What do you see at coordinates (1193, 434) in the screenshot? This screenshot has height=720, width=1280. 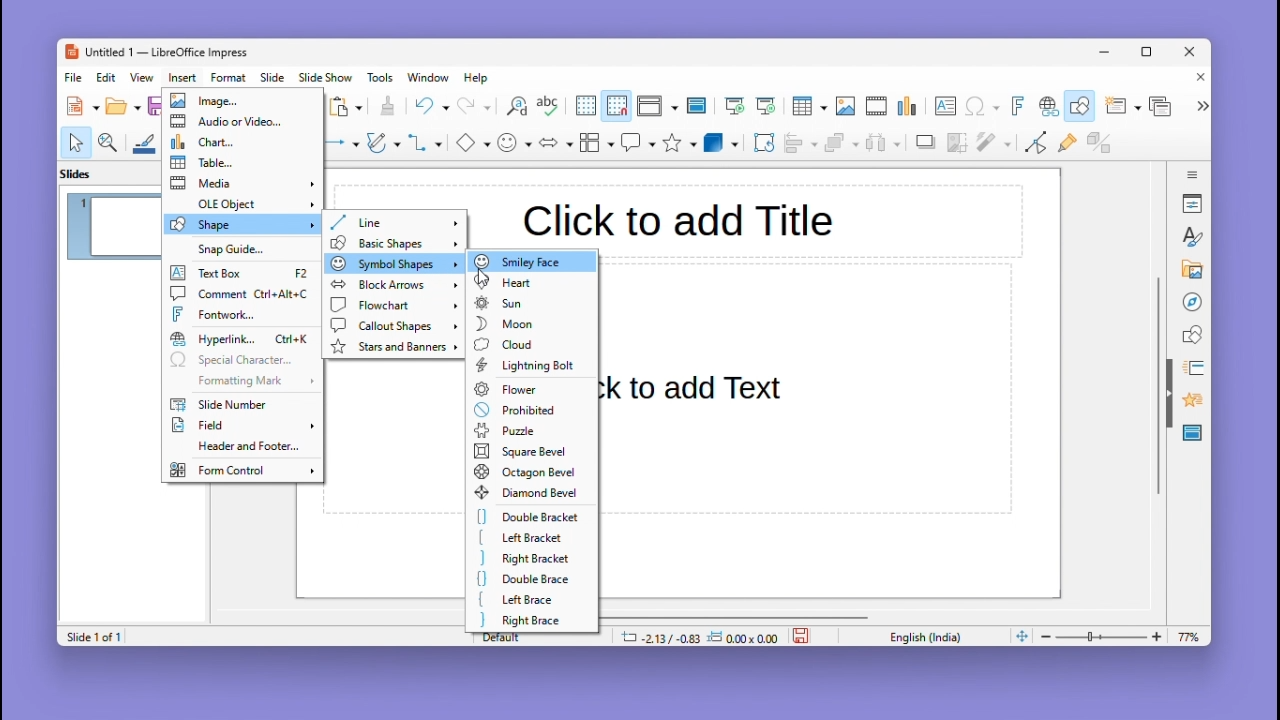 I see `Masters slide` at bounding box center [1193, 434].